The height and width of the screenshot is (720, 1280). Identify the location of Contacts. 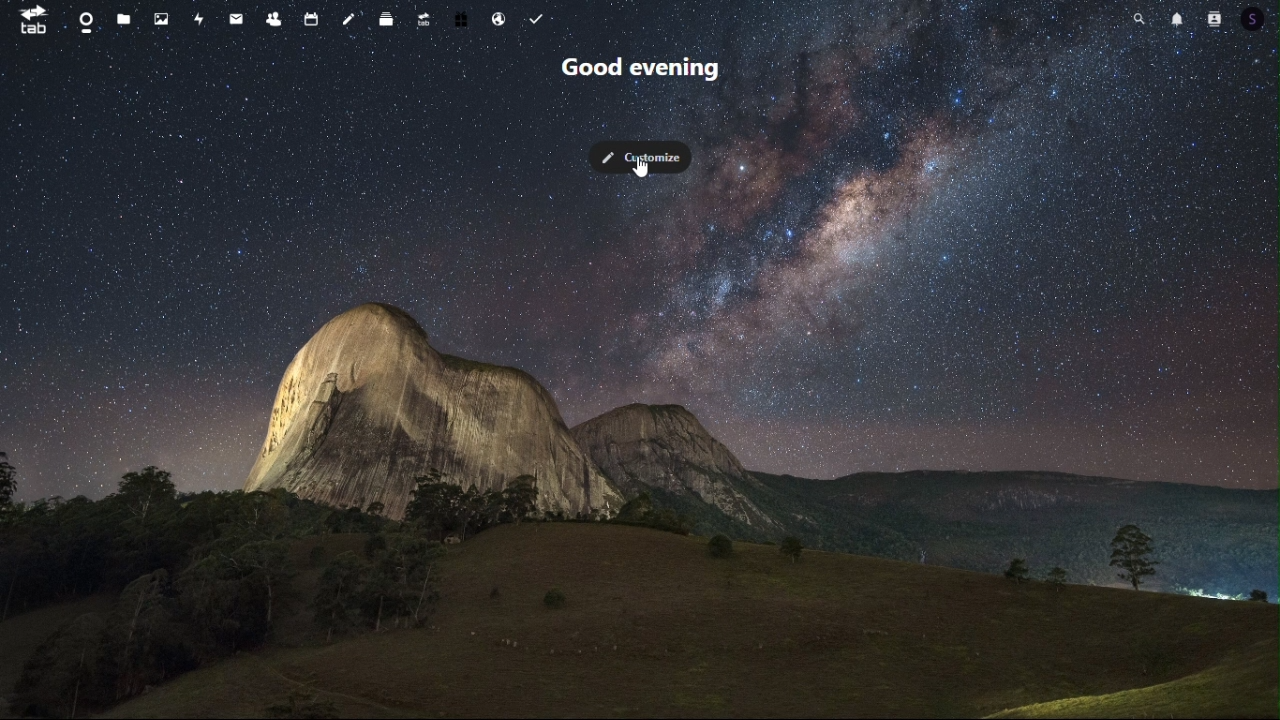
(1213, 16).